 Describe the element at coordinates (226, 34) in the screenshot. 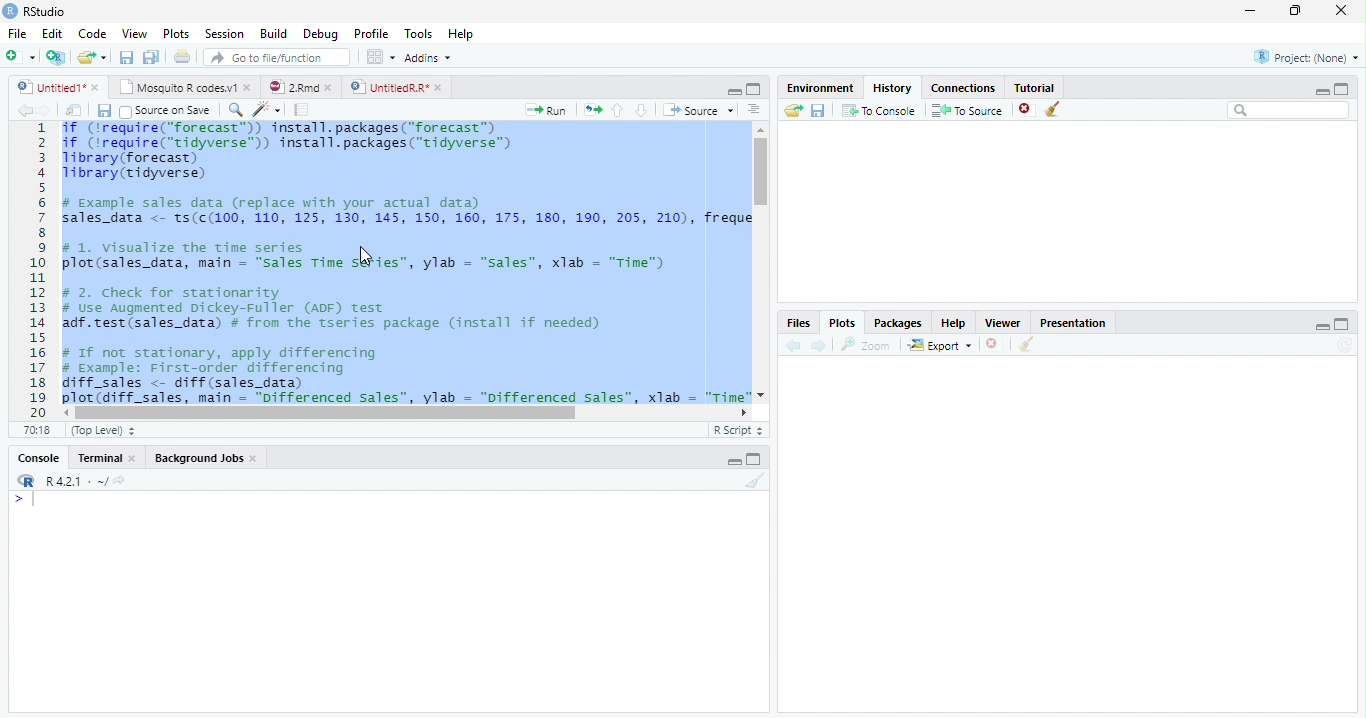

I see `Session` at that location.